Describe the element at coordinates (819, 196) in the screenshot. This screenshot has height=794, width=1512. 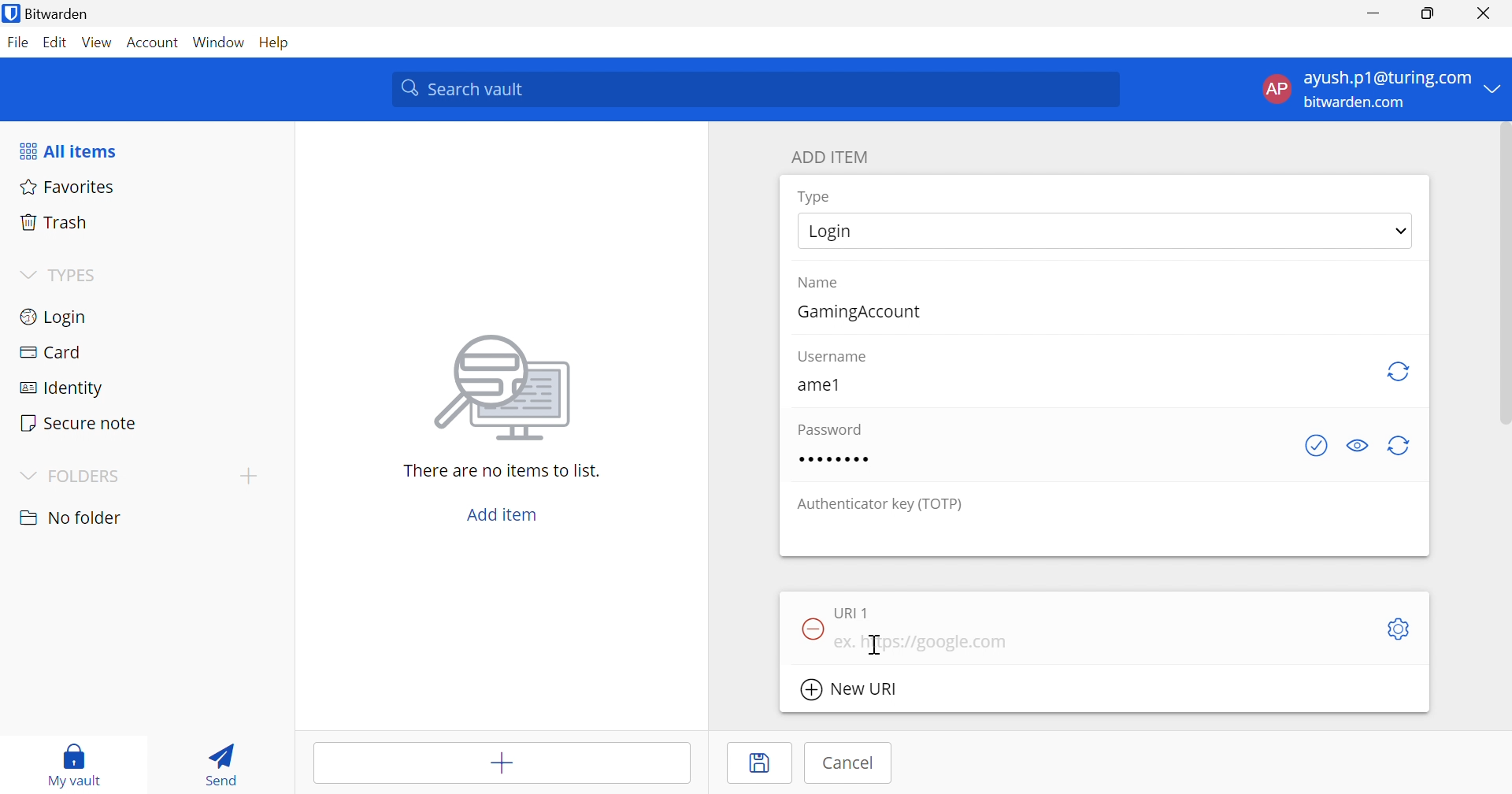
I see `Type` at that location.